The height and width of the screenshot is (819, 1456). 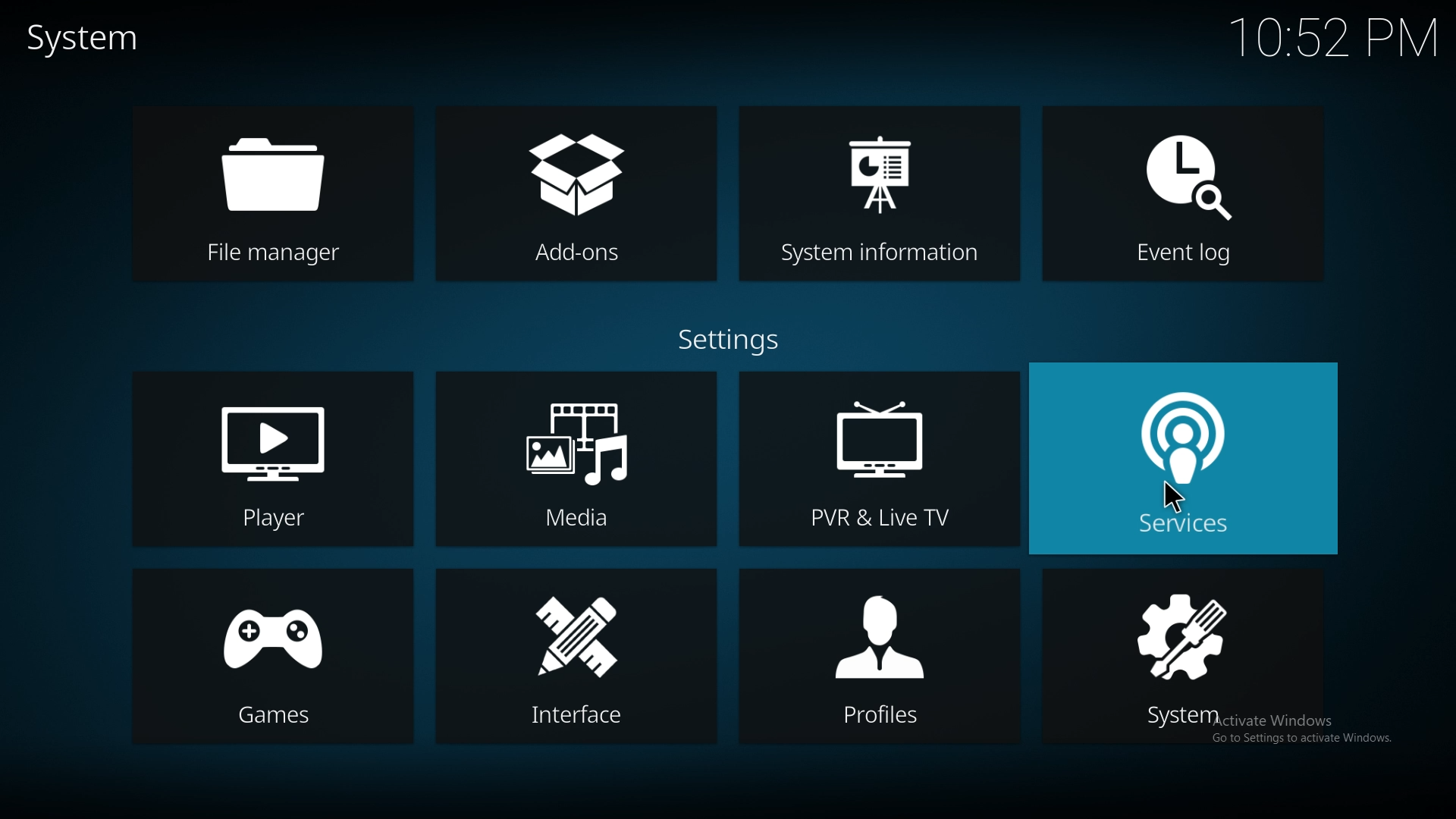 I want to click on system info, so click(x=874, y=191).